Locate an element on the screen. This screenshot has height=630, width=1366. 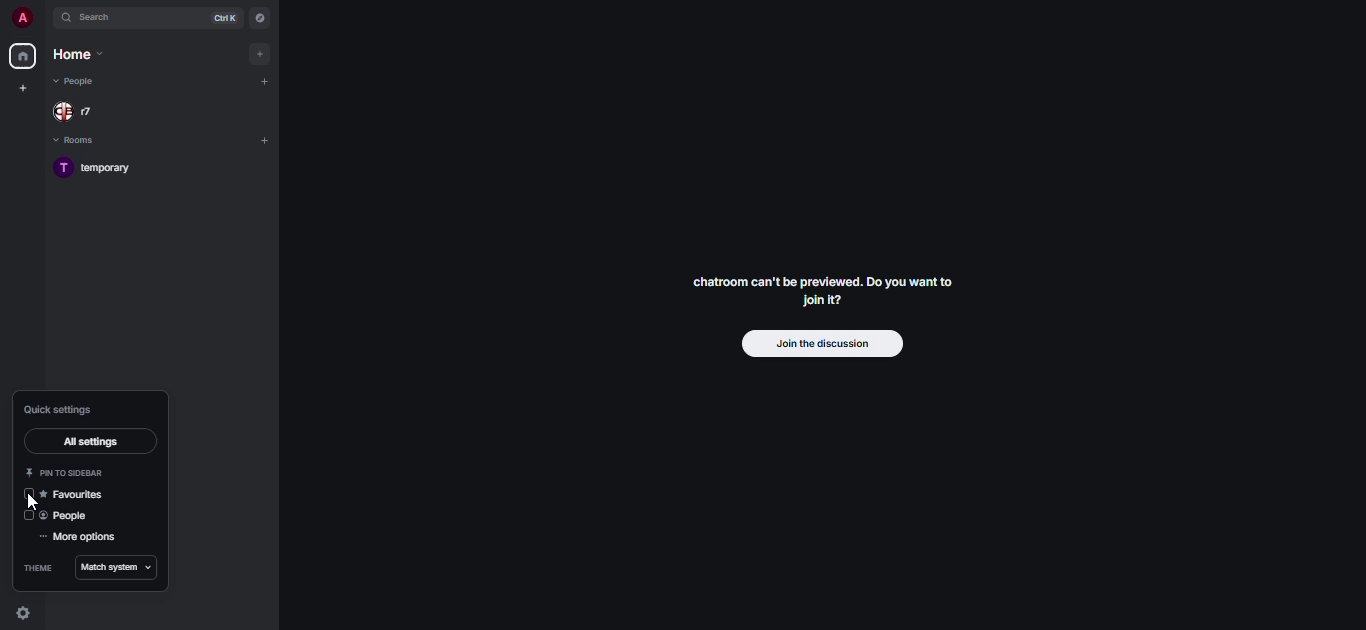
ctrl K is located at coordinates (222, 18).